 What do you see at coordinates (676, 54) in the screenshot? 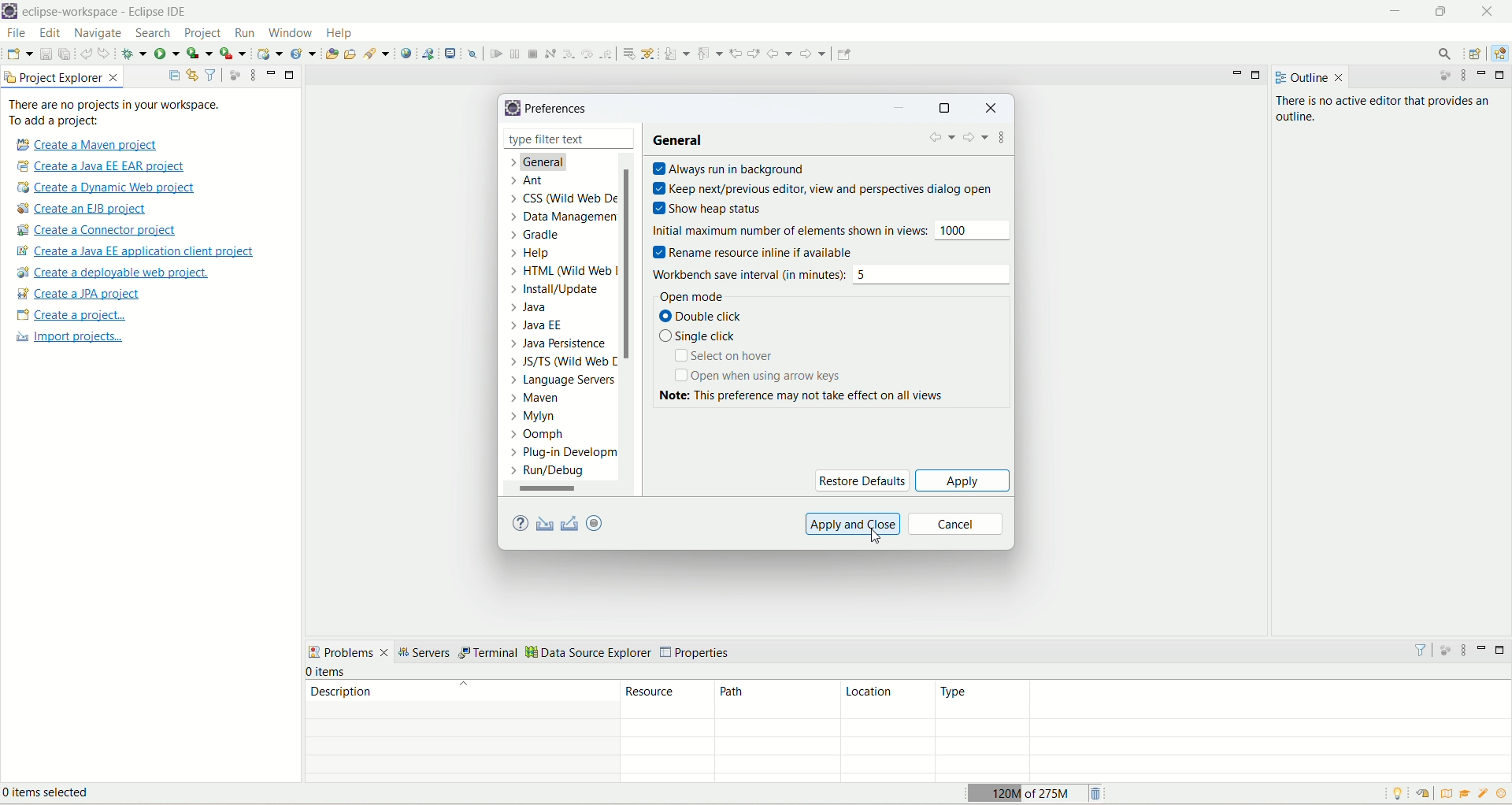
I see `next annotation` at bounding box center [676, 54].